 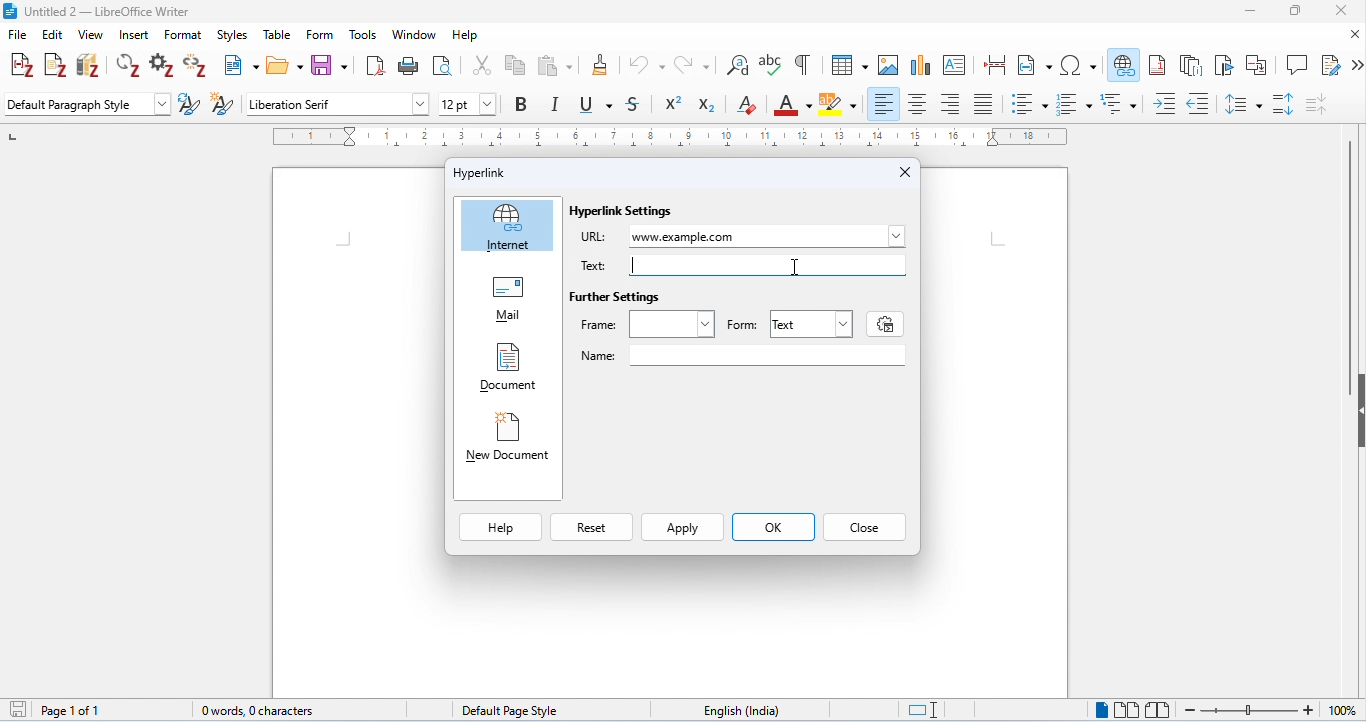 What do you see at coordinates (21, 710) in the screenshot?
I see `save` at bounding box center [21, 710].